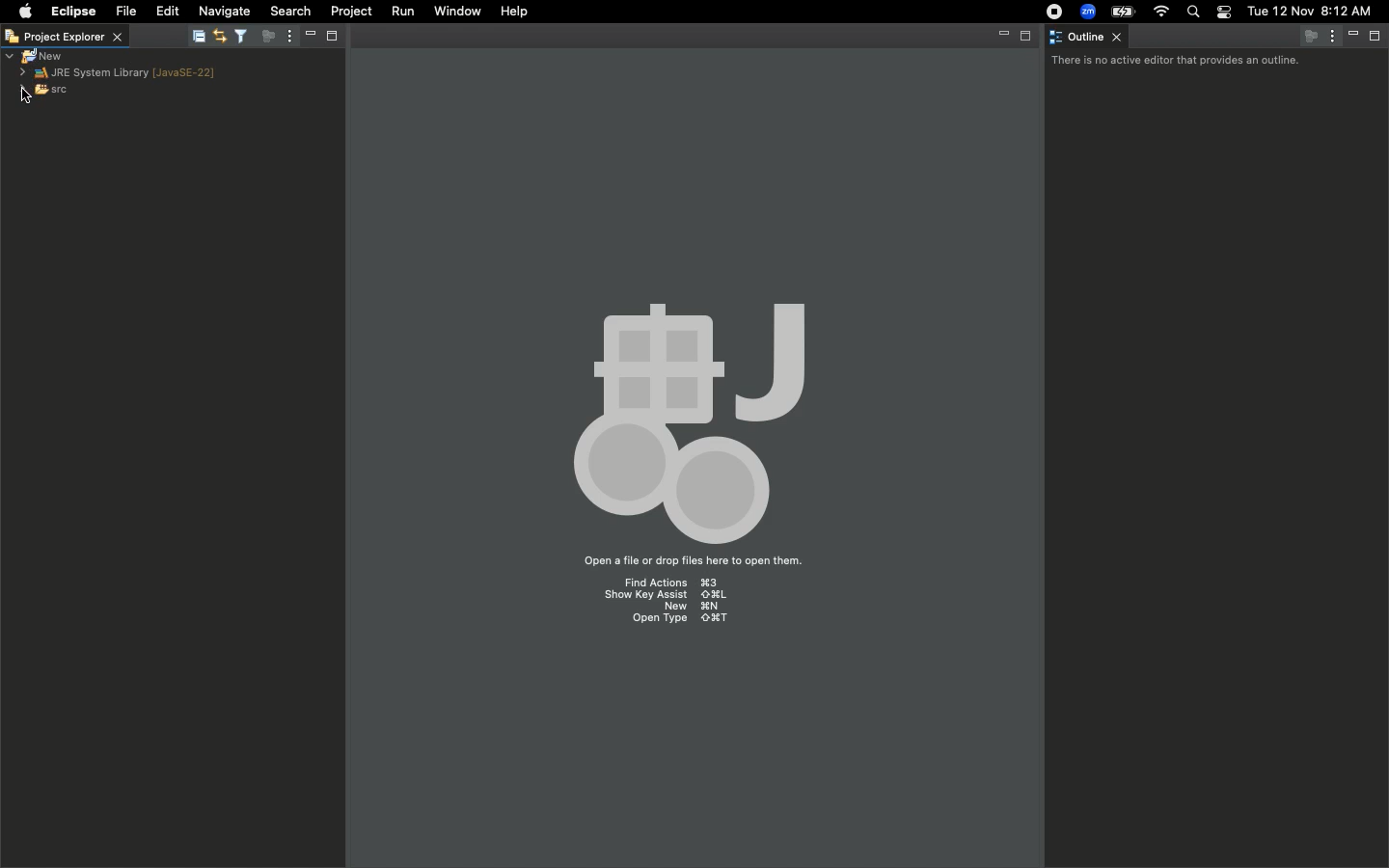 The image size is (1389, 868). What do you see at coordinates (1028, 36) in the screenshot?
I see `Maximize` at bounding box center [1028, 36].